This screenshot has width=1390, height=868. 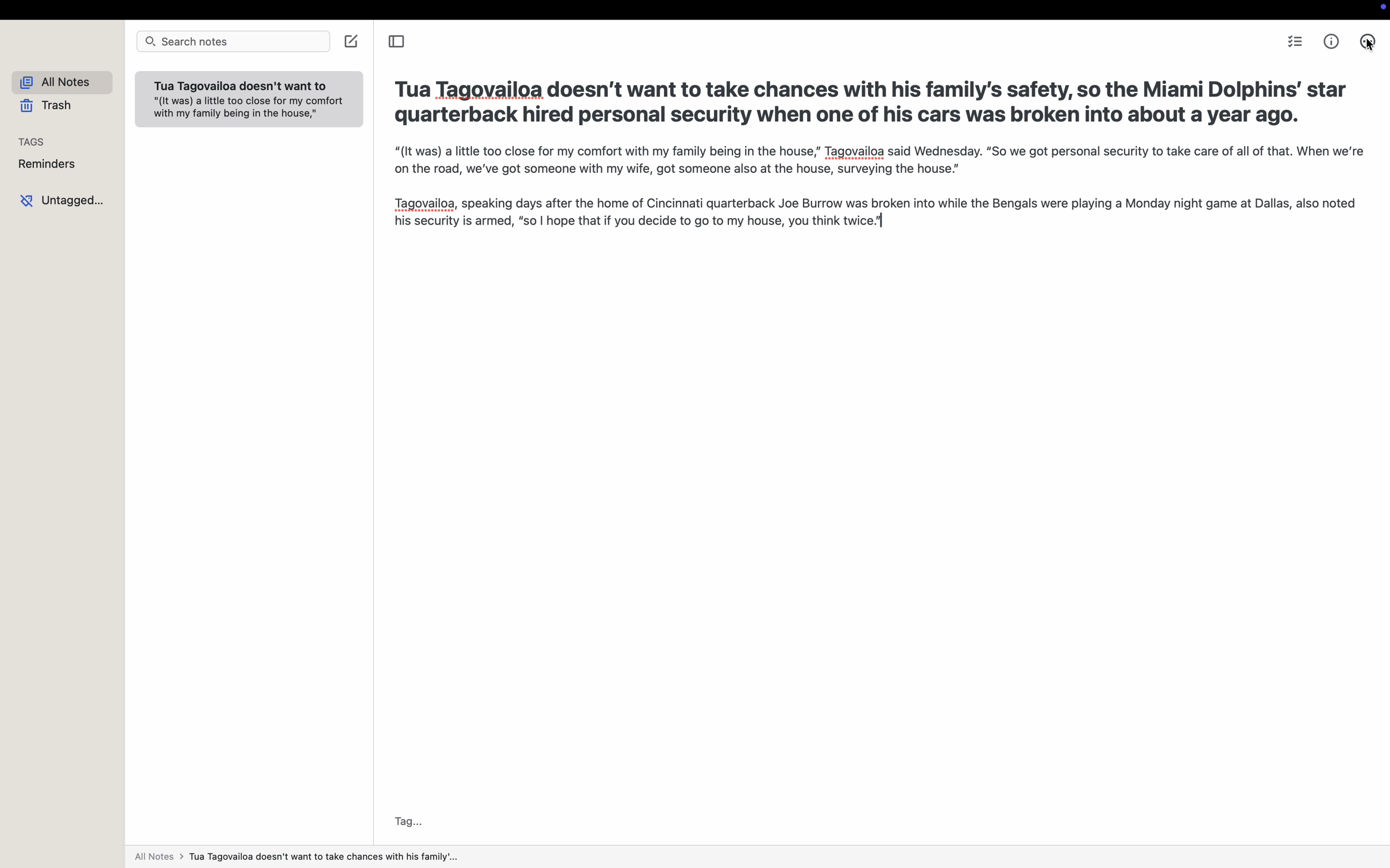 What do you see at coordinates (57, 82) in the screenshot?
I see `all notes` at bounding box center [57, 82].